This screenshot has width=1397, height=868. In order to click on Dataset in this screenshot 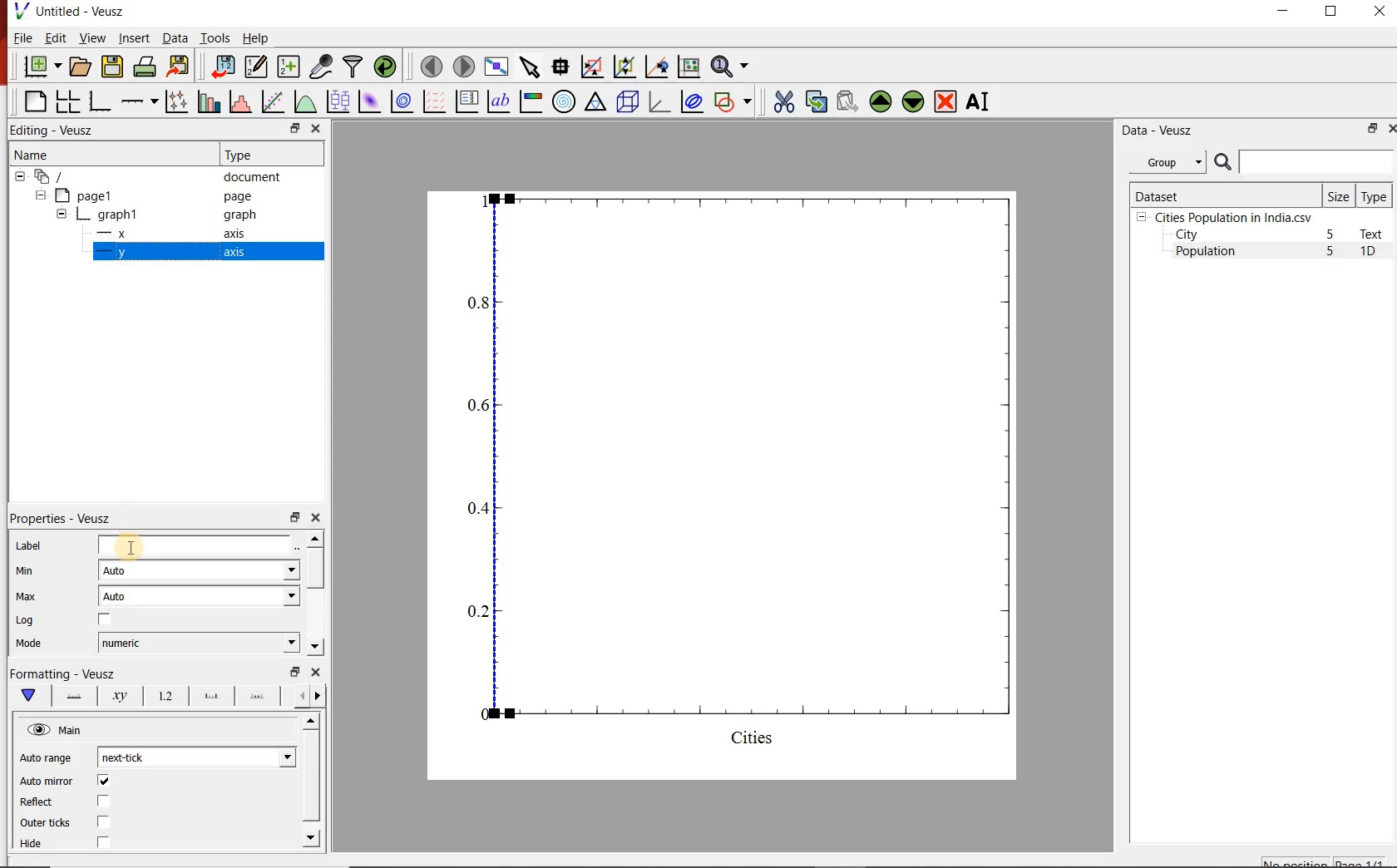, I will do `click(1223, 195)`.